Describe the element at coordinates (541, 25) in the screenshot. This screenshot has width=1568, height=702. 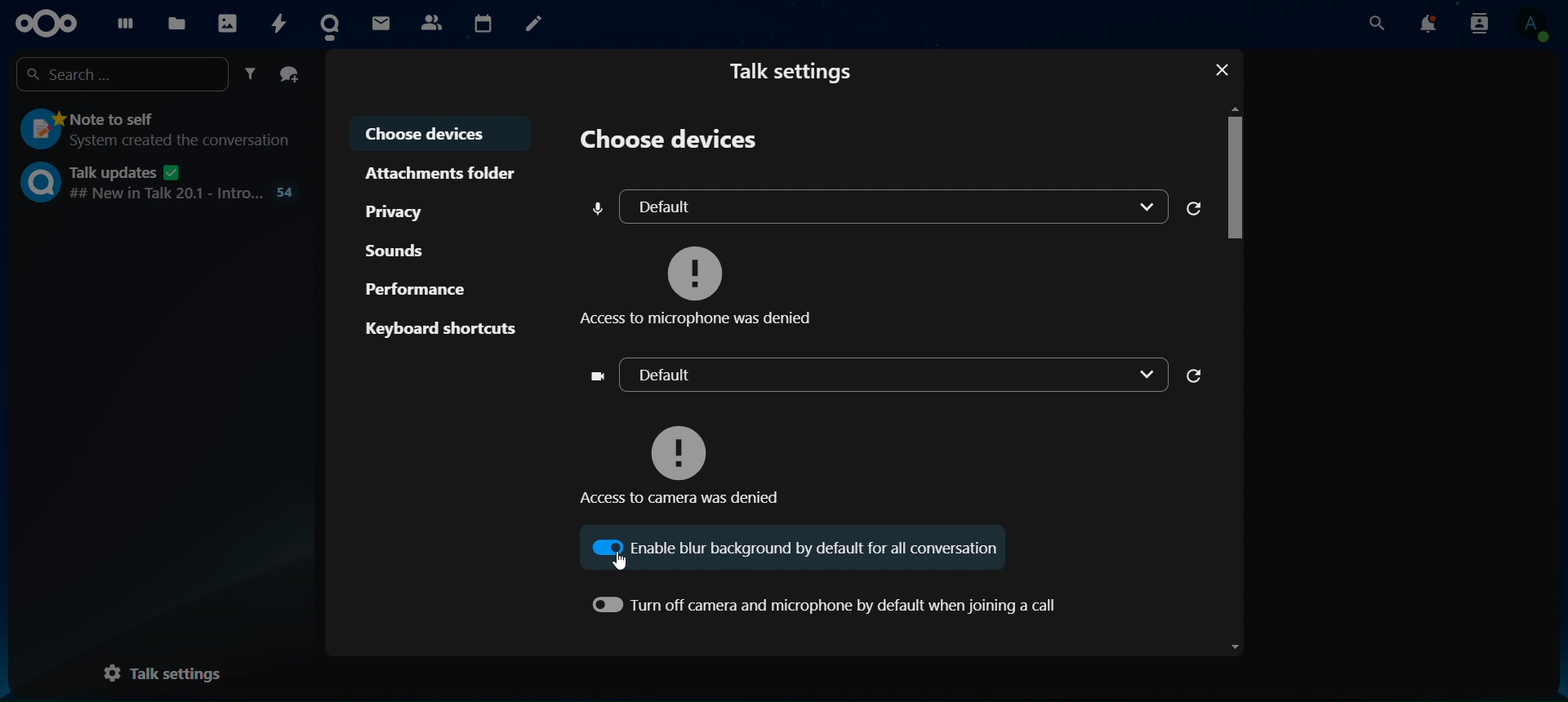
I see `notes` at that location.